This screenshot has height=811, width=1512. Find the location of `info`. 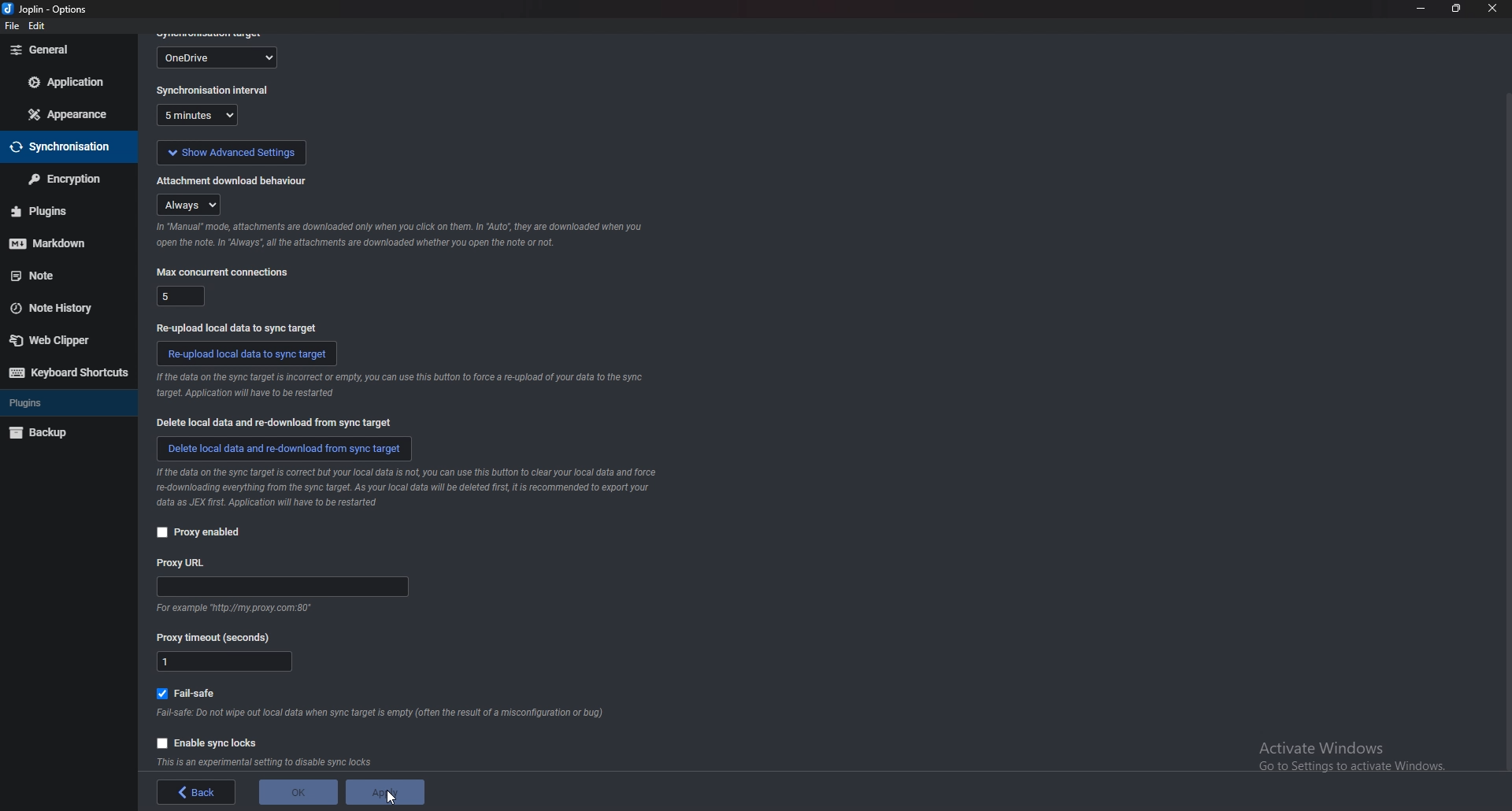

info is located at coordinates (417, 487).